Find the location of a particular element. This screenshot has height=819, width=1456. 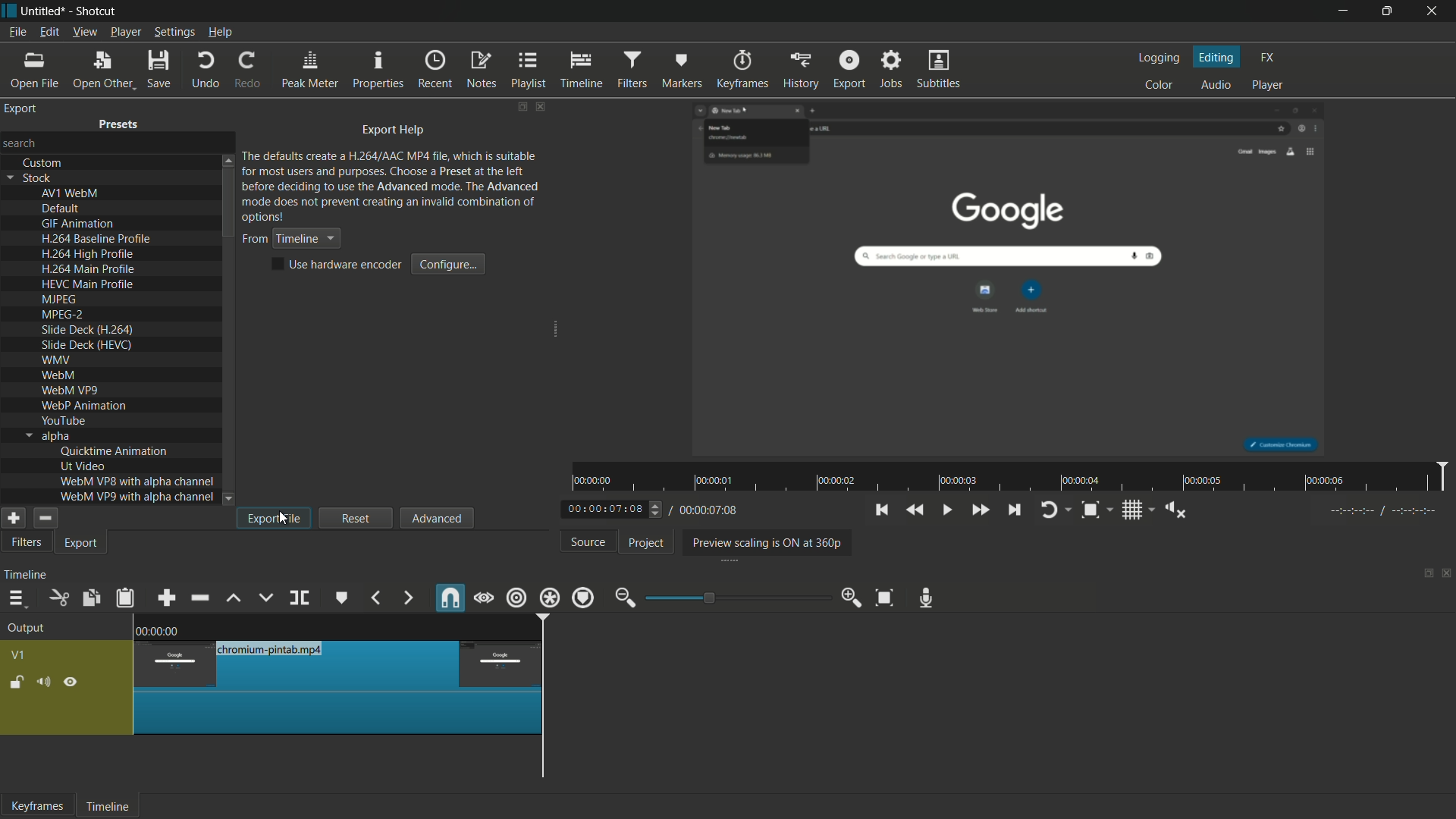

jobs is located at coordinates (890, 69).